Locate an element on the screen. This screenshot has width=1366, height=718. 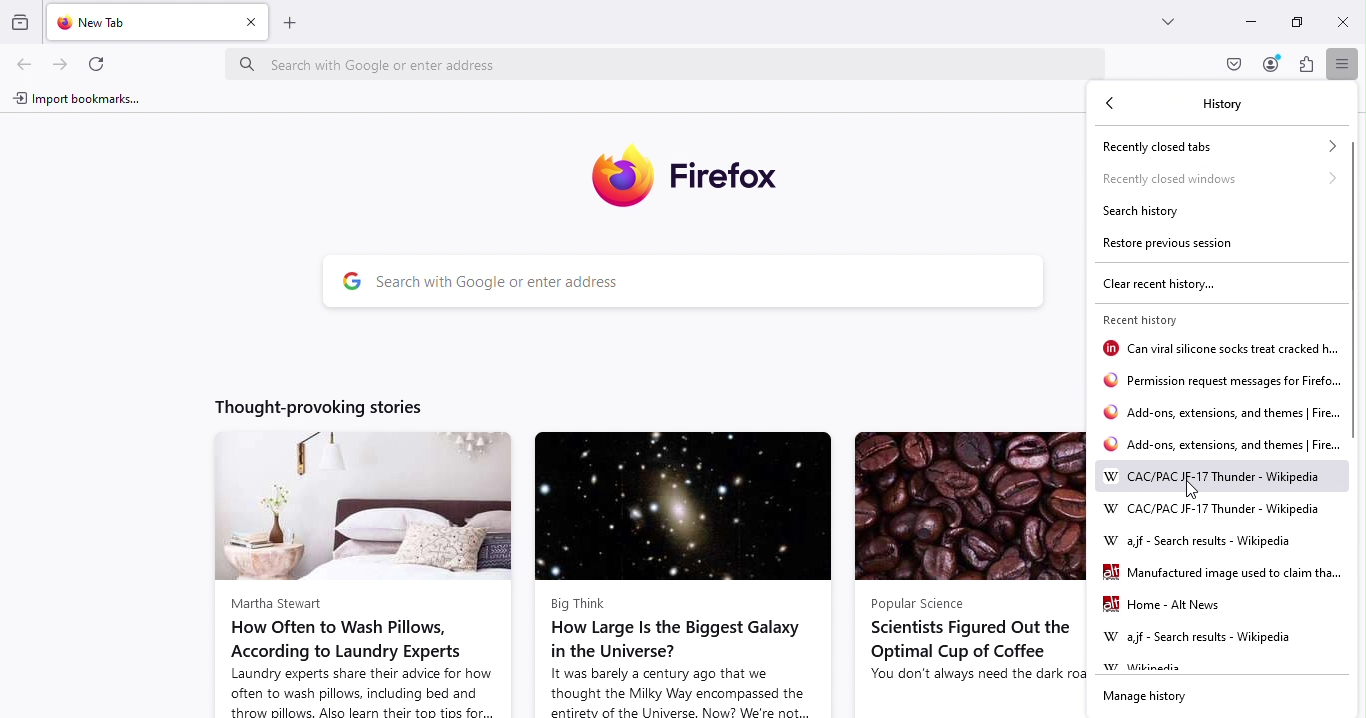
Account is located at coordinates (1268, 66).